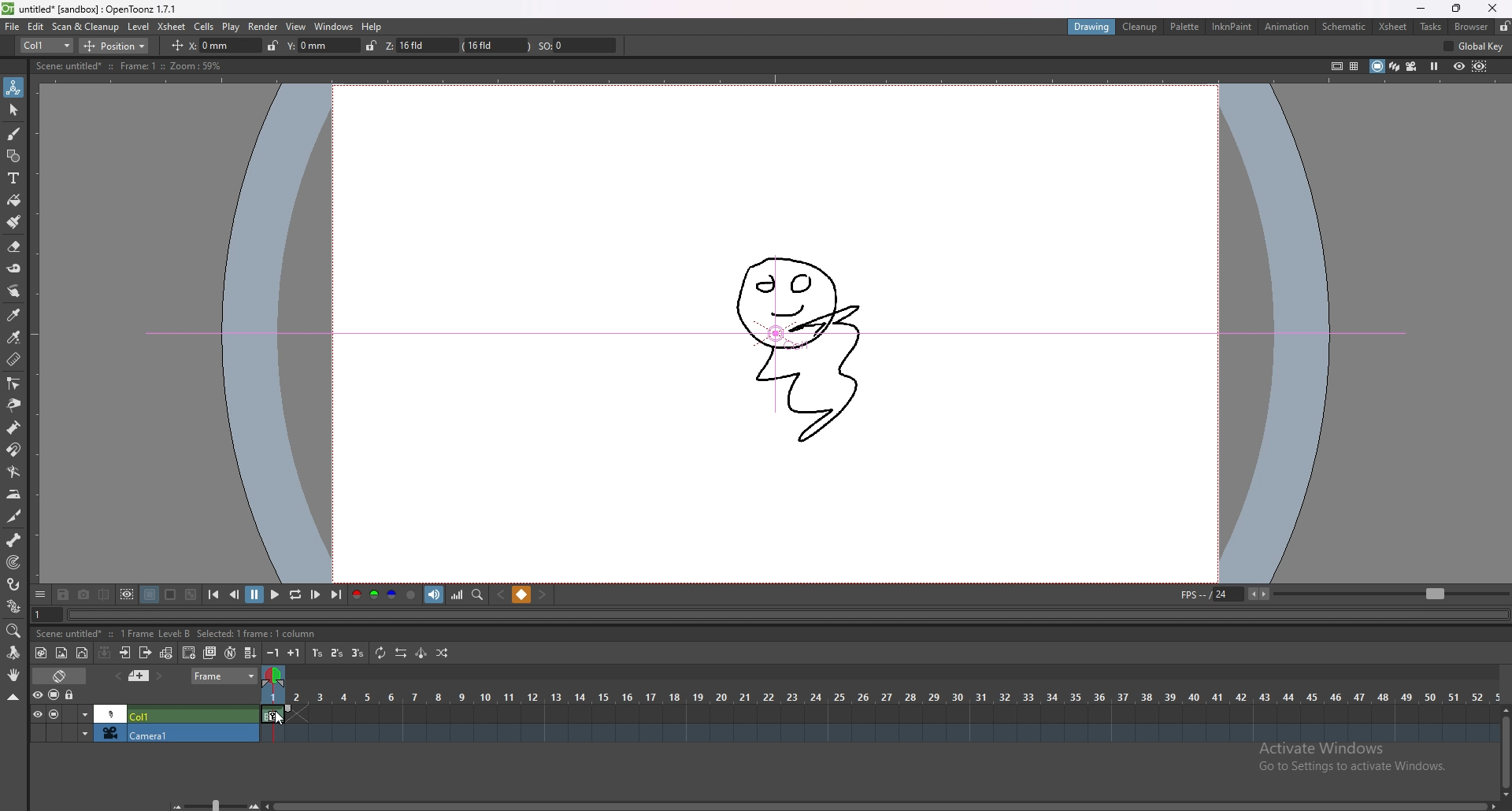  What do you see at coordinates (880, 694) in the screenshot?
I see `time` at bounding box center [880, 694].